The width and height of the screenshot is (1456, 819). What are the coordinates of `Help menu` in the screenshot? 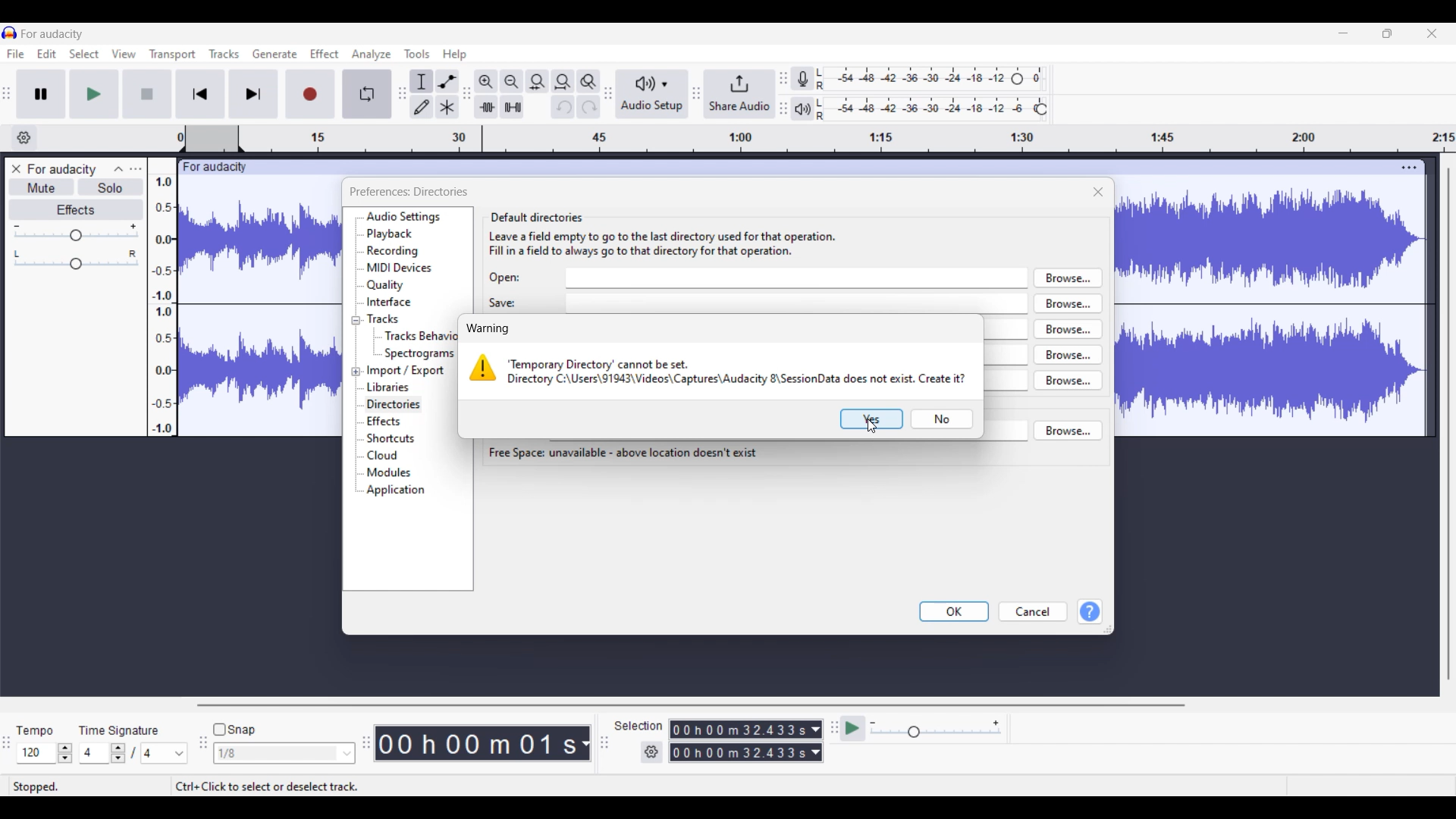 It's located at (455, 55).